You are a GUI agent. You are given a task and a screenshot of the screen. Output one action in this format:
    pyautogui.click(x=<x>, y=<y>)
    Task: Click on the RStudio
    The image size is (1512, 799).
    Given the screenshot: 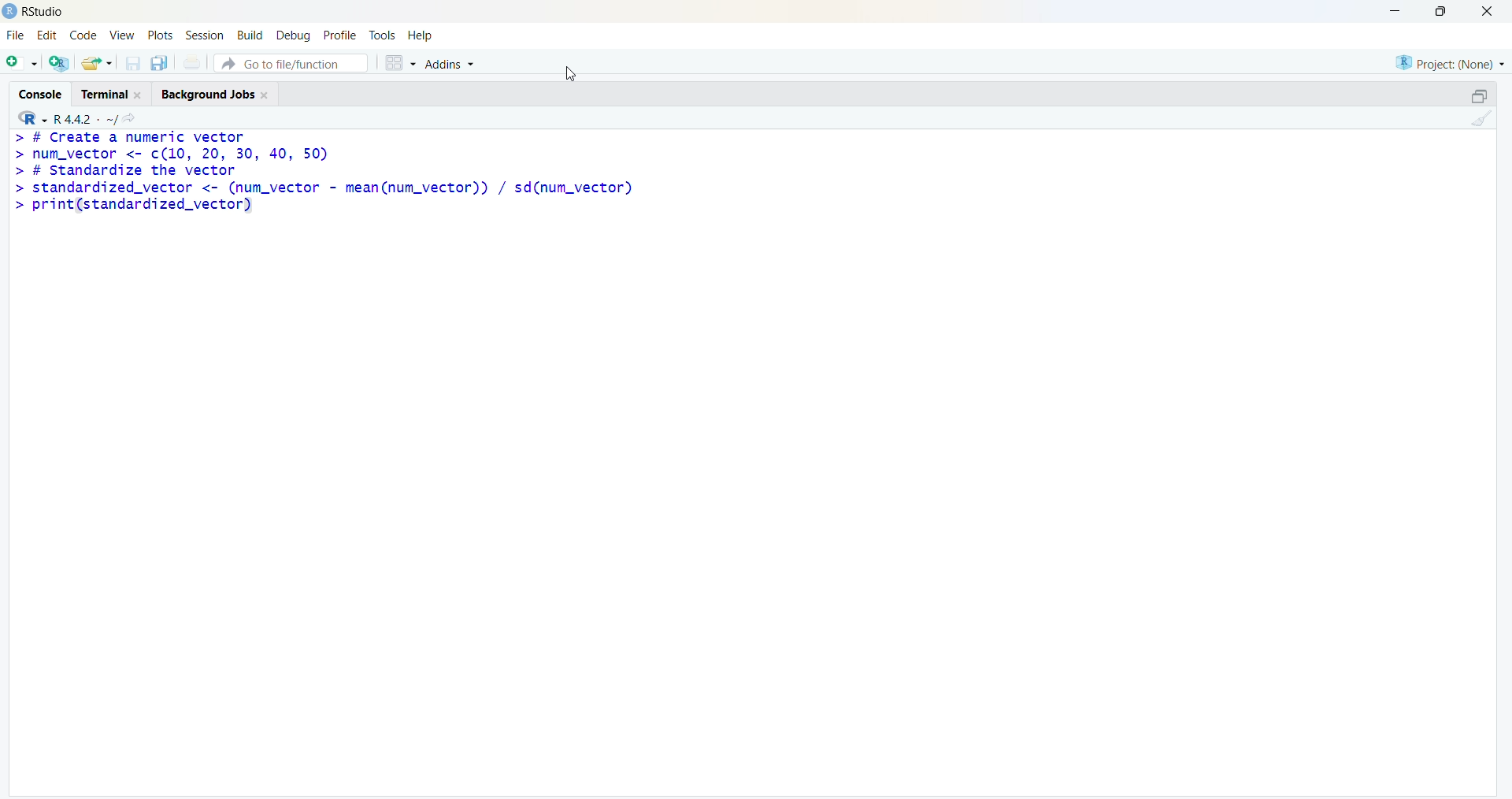 What is the action you would take?
    pyautogui.click(x=45, y=13)
    